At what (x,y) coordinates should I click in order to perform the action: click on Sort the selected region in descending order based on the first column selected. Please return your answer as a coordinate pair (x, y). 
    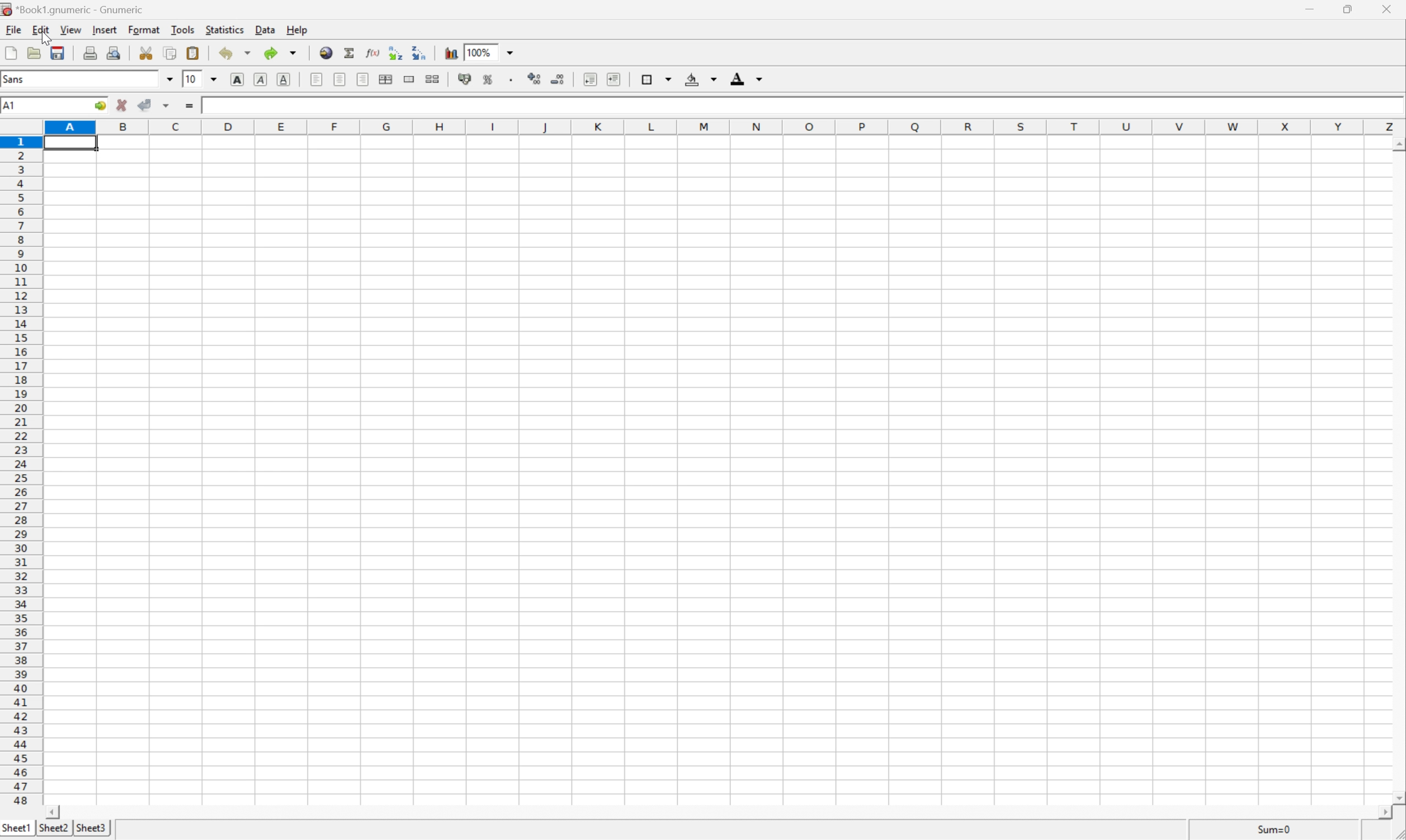
    Looking at the image, I should click on (419, 52).